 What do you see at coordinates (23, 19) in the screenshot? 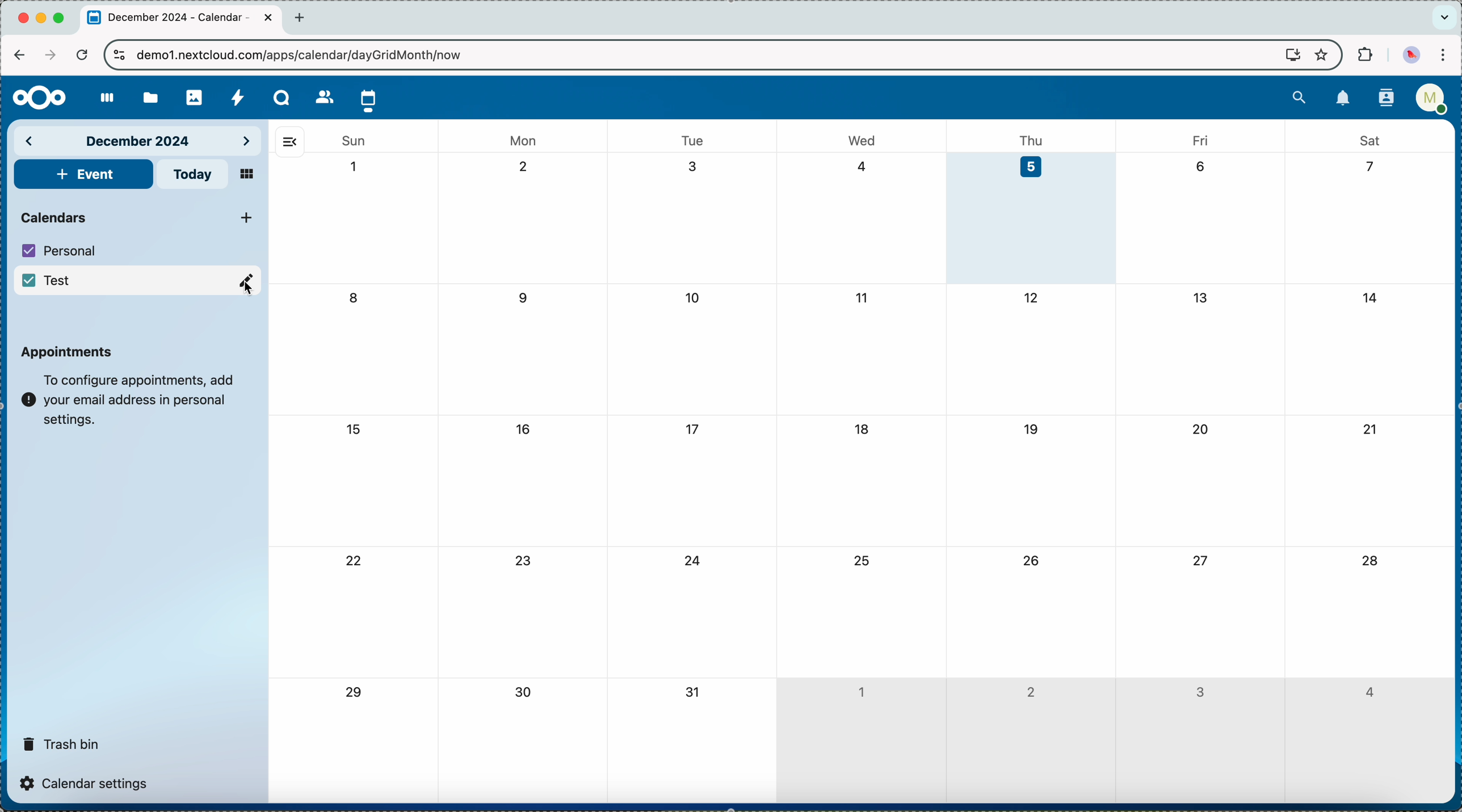
I see `close Chrome` at bounding box center [23, 19].